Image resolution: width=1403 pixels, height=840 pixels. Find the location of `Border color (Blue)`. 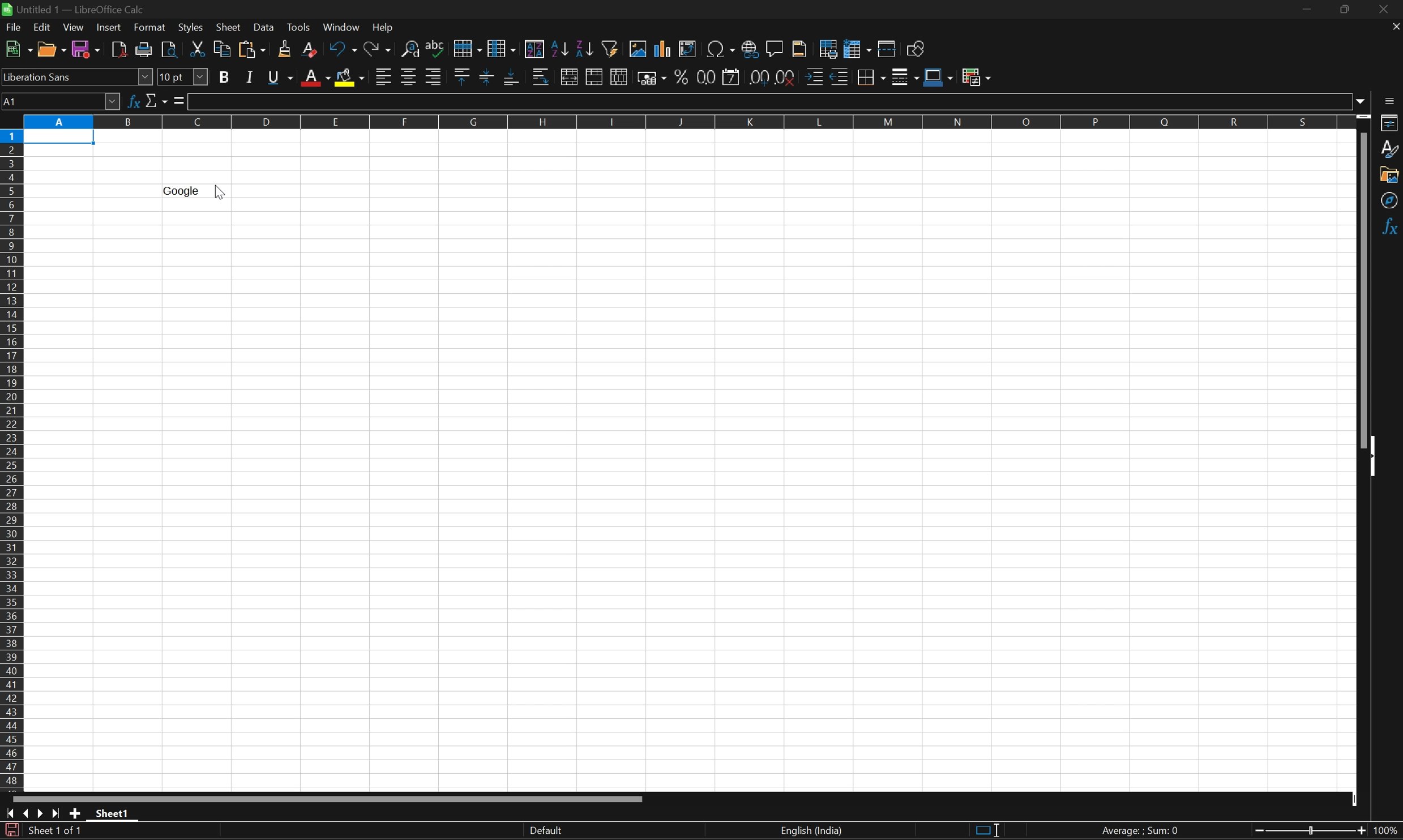

Border color (Blue) is located at coordinates (940, 77).